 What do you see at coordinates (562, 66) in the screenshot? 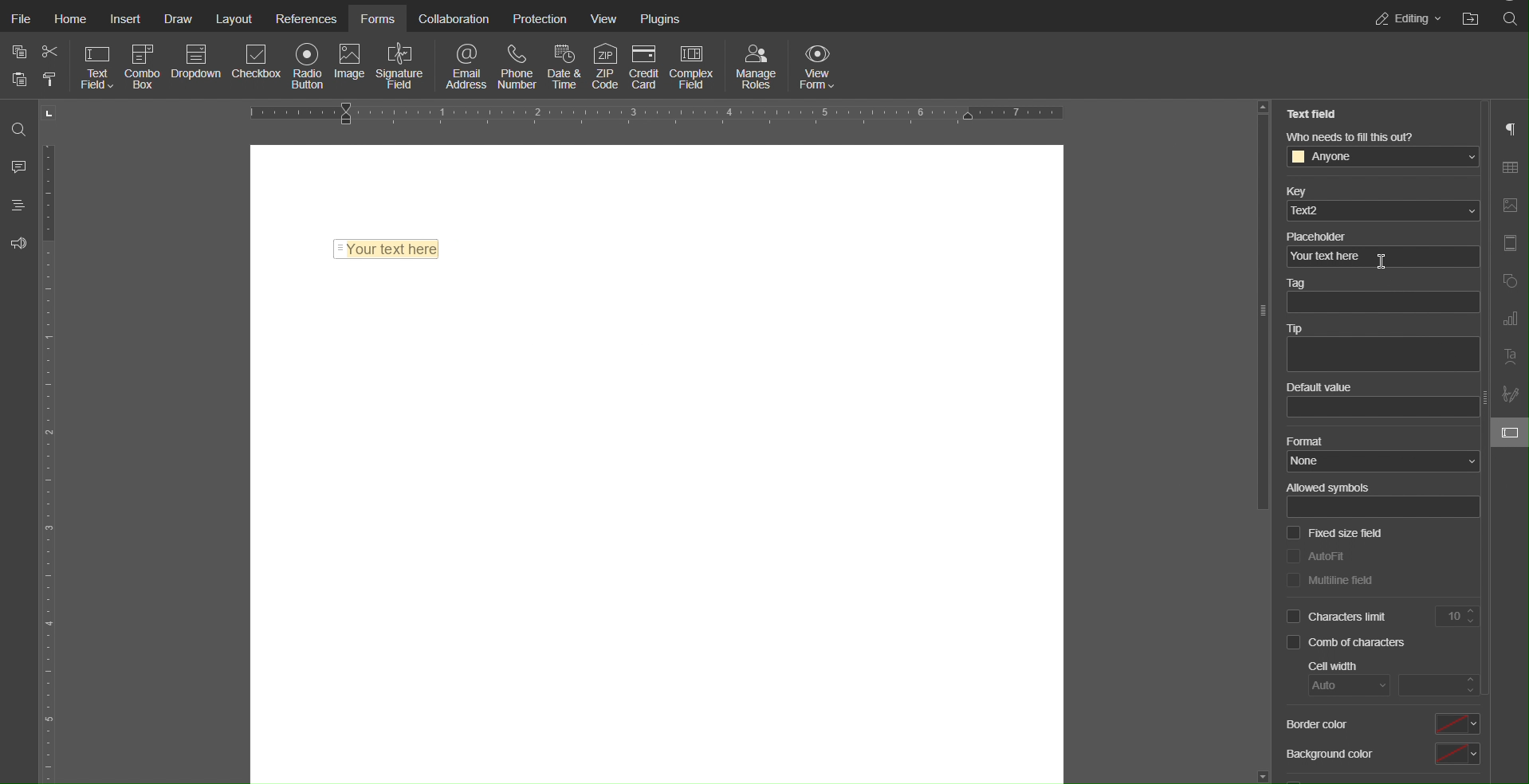
I see `Date & Time` at bounding box center [562, 66].